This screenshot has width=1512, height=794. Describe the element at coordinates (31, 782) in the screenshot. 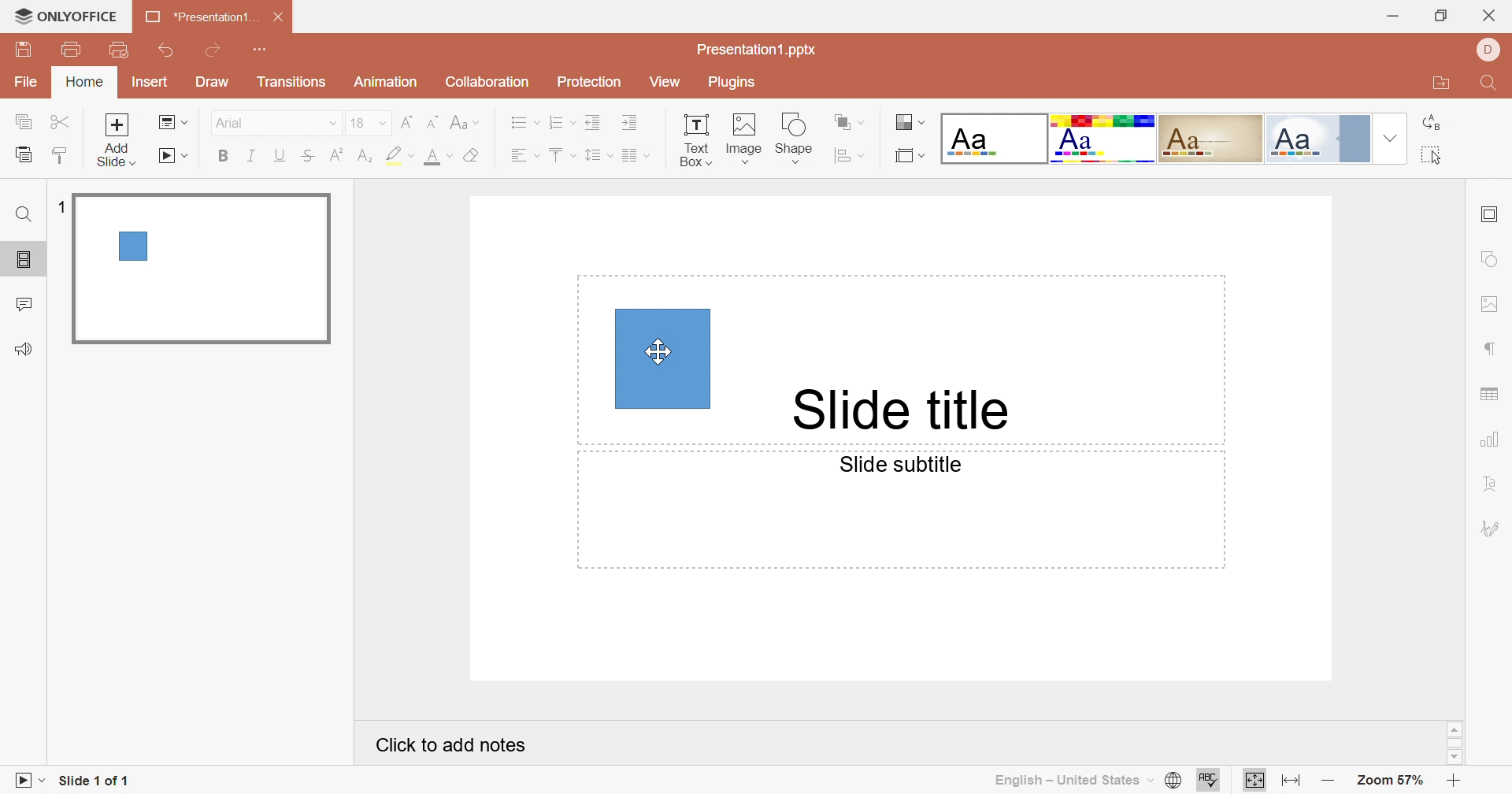

I see `Start slideshow` at that location.